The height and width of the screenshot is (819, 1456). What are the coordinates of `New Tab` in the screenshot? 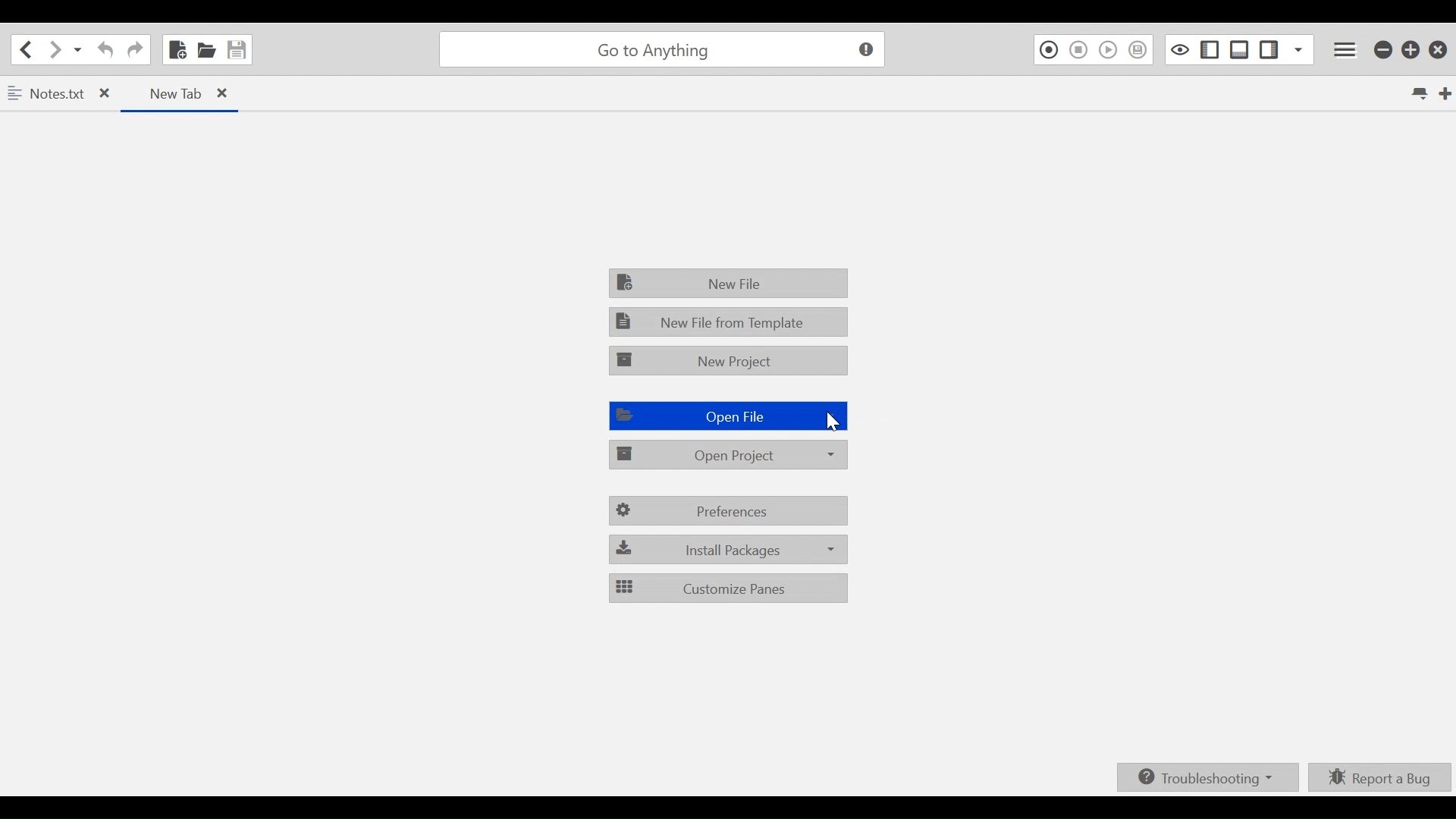 It's located at (178, 93).